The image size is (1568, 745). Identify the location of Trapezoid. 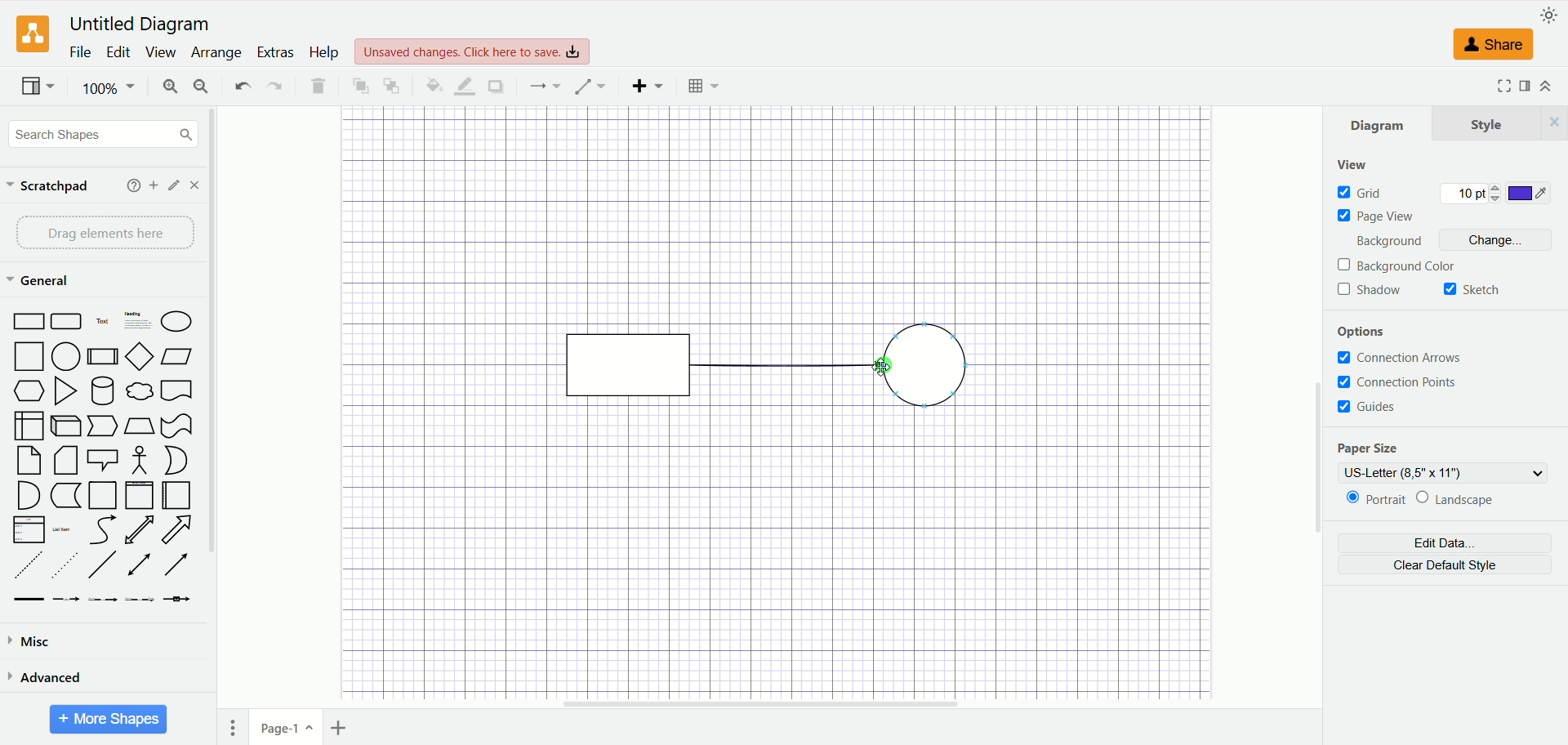
(140, 426).